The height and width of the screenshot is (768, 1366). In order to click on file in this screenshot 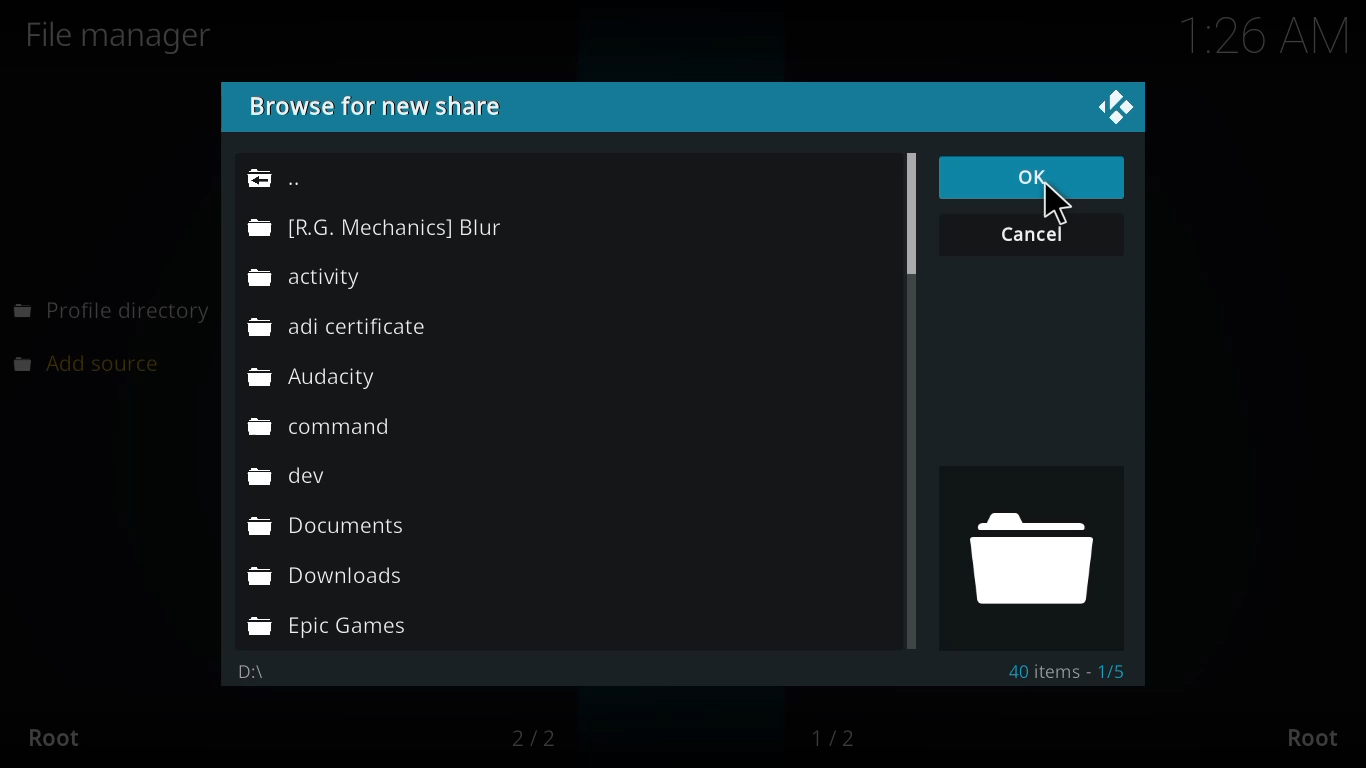, I will do `click(322, 278)`.